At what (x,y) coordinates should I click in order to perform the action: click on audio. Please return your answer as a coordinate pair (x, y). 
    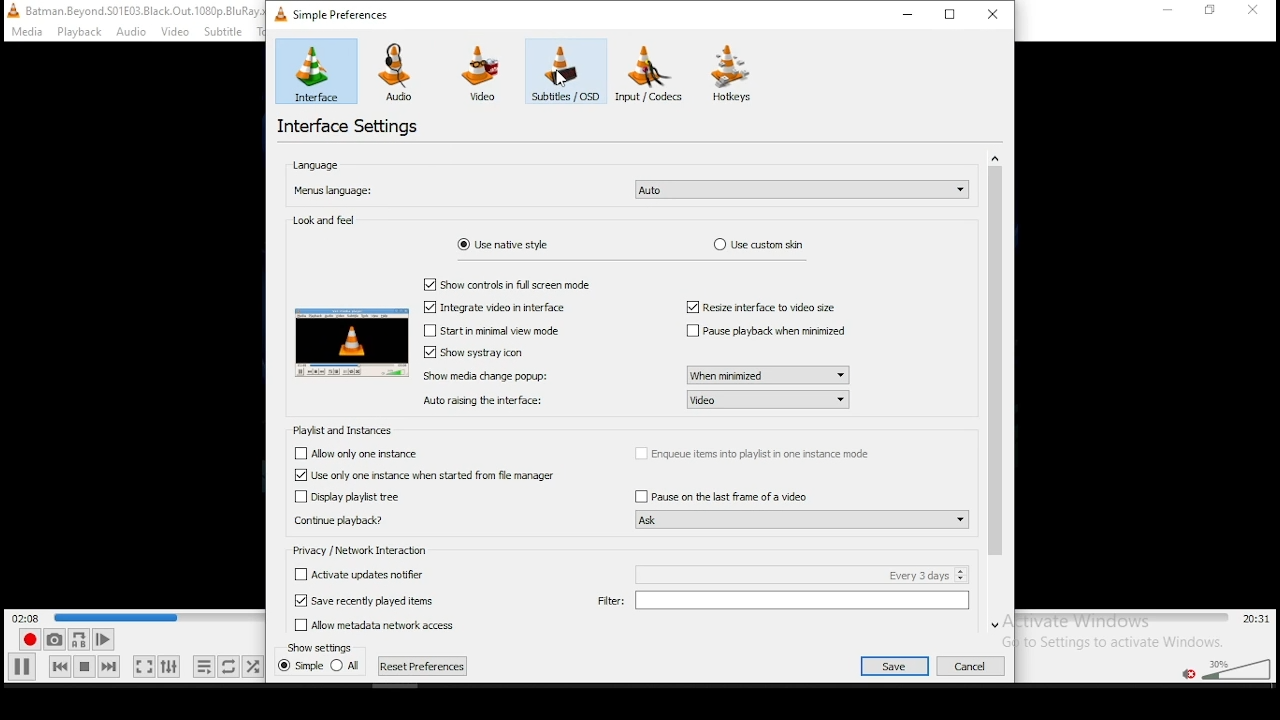
    Looking at the image, I should click on (400, 72).